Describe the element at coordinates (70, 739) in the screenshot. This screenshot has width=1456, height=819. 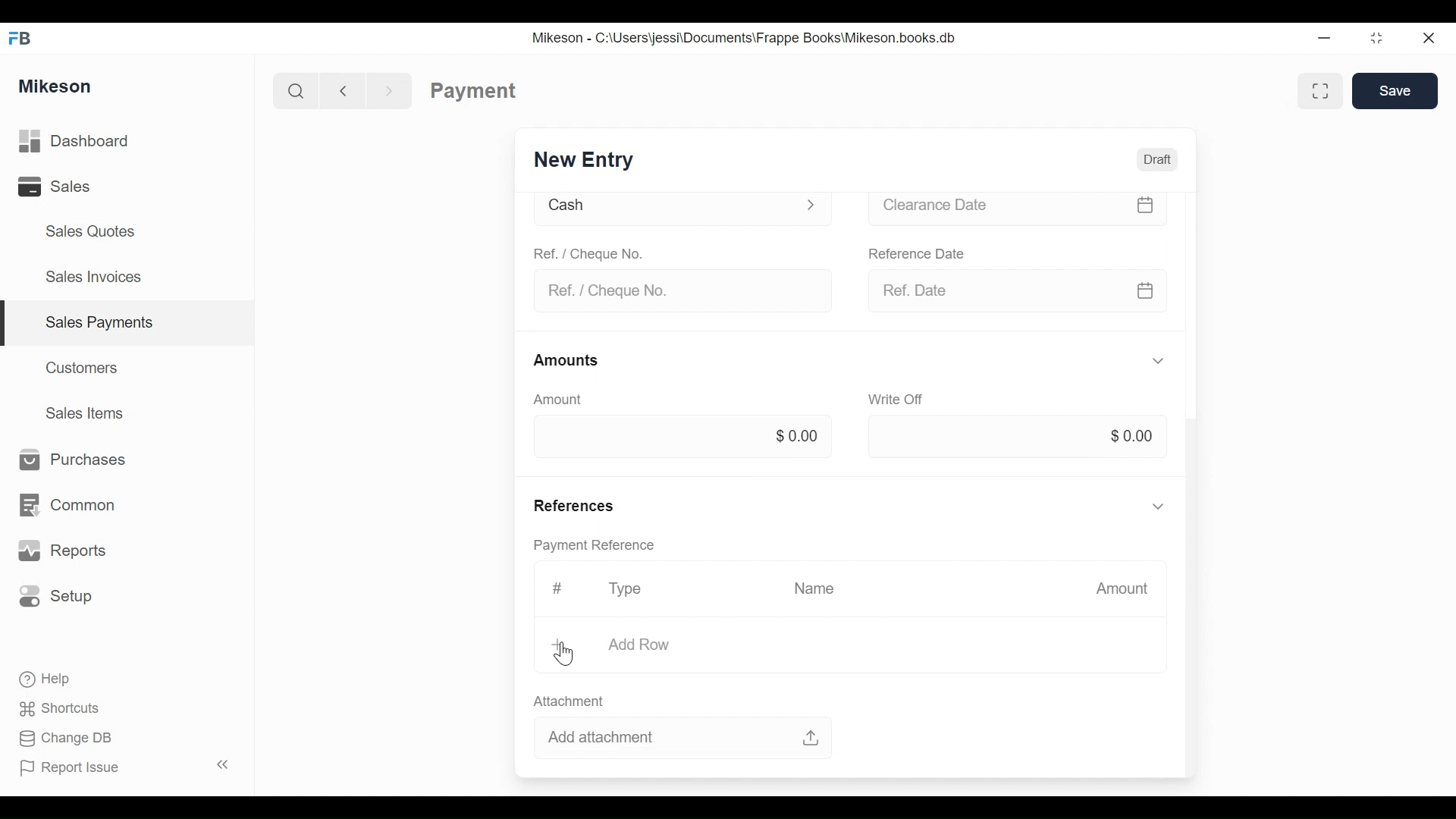
I see `Change DB` at that location.